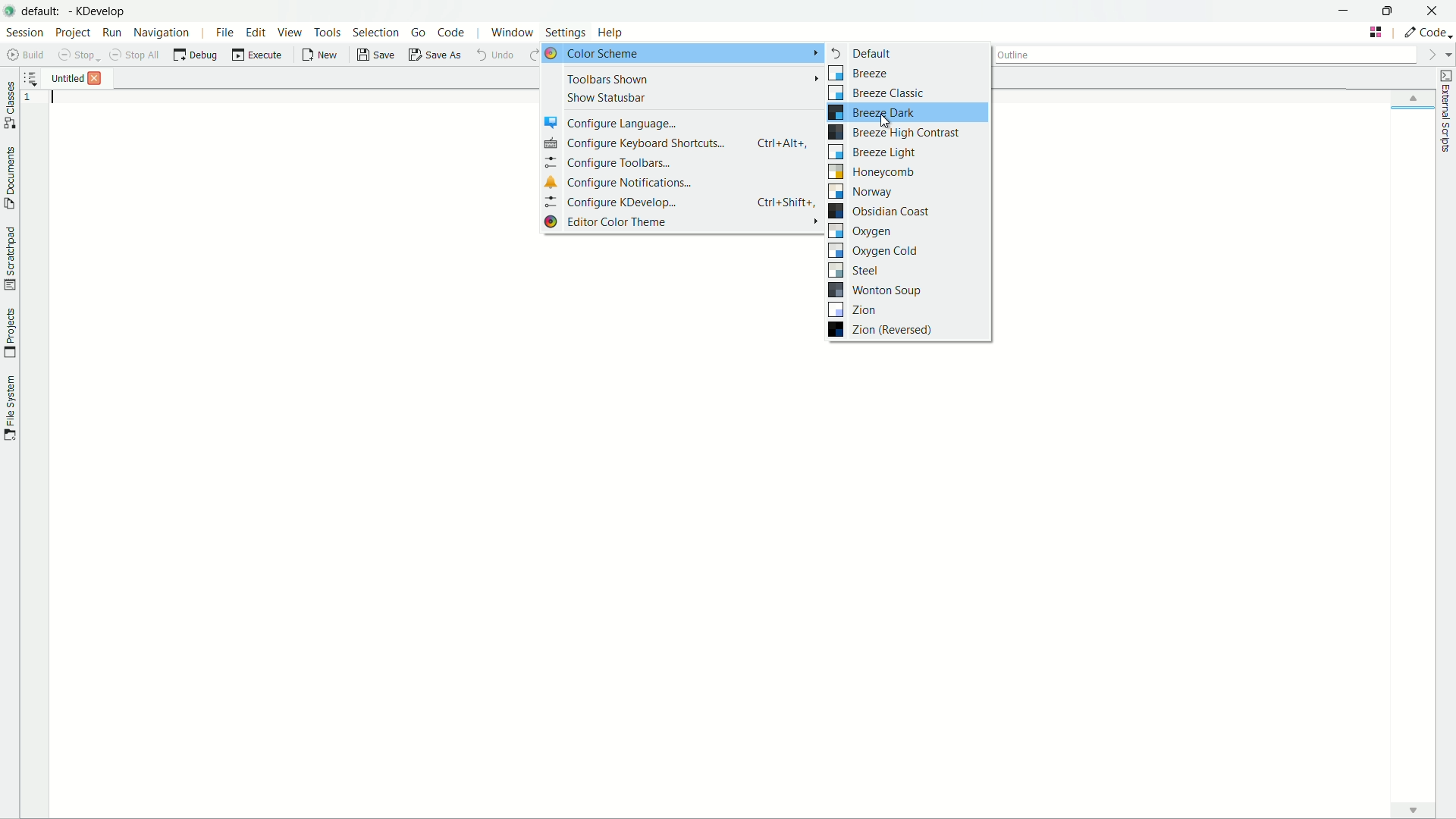 Image resolution: width=1456 pixels, height=819 pixels. Describe the element at coordinates (683, 222) in the screenshot. I see `editor color theme` at that location.